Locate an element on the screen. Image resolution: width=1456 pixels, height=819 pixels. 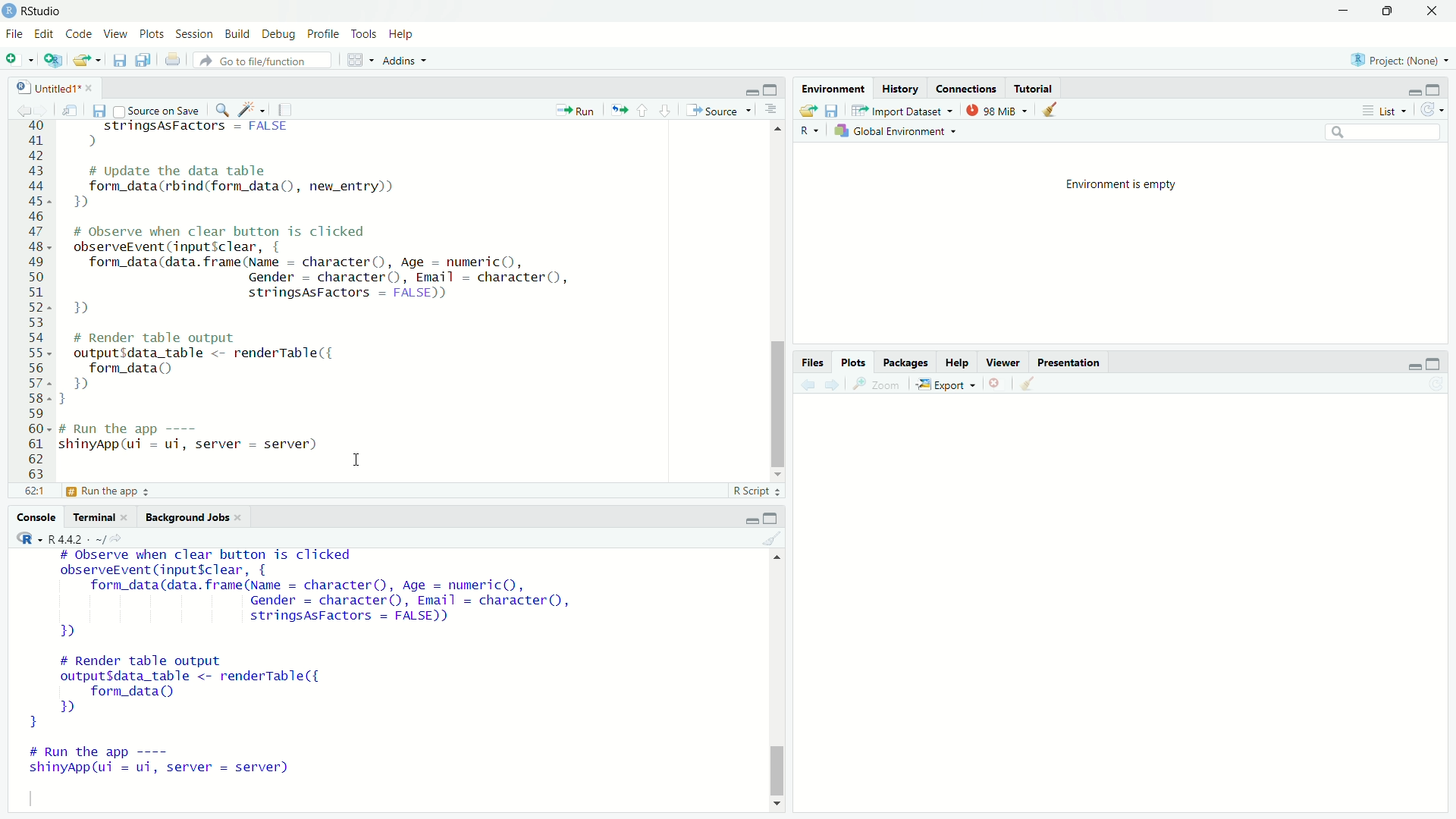
Profile is located at coordinates (323, 33).